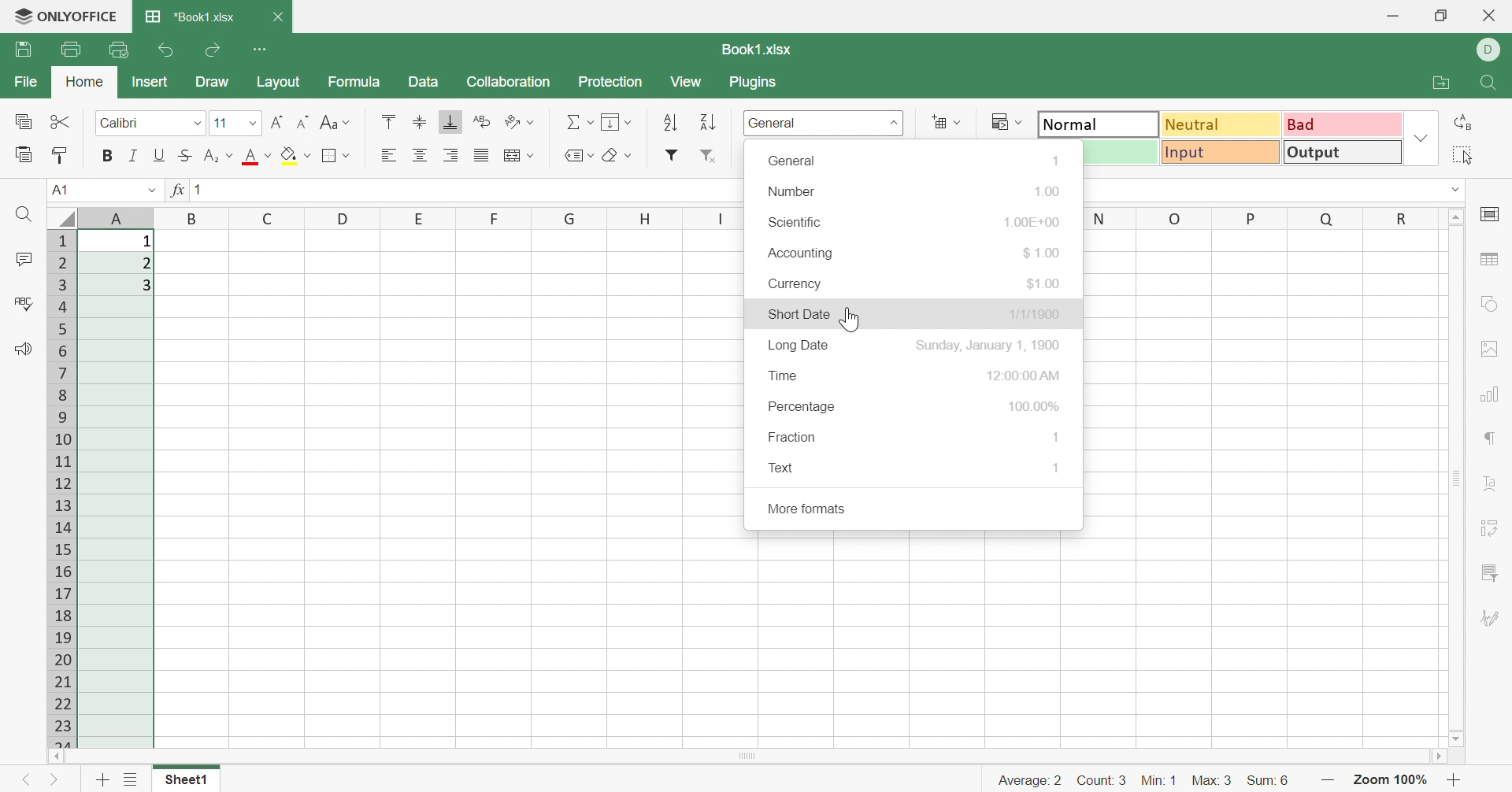 The width and height of the screenshot is (1512, 792). I want to click on Wrap text, so click(485, 121).